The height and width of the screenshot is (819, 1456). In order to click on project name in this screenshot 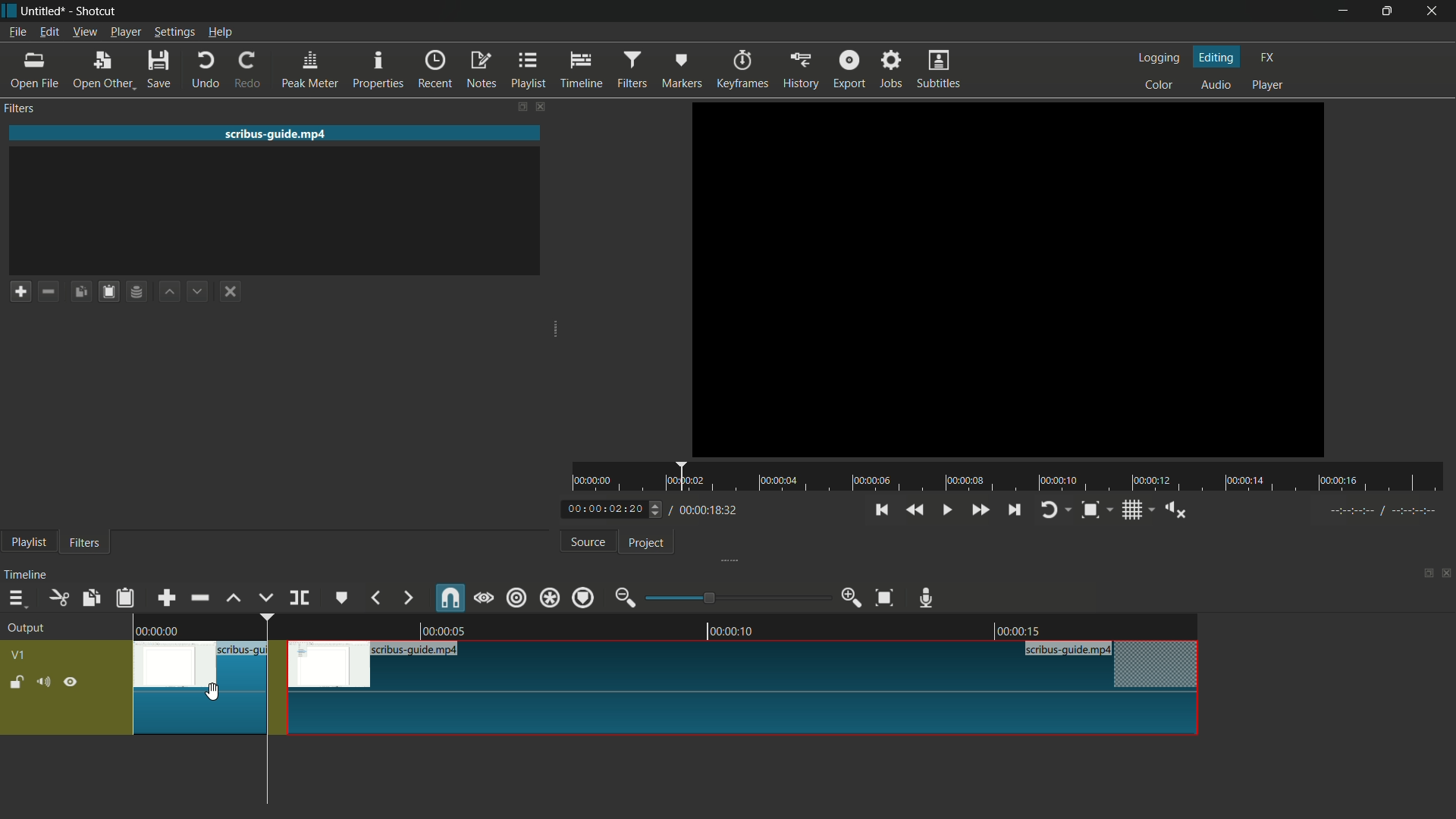, I will do `click(43, 10)`.